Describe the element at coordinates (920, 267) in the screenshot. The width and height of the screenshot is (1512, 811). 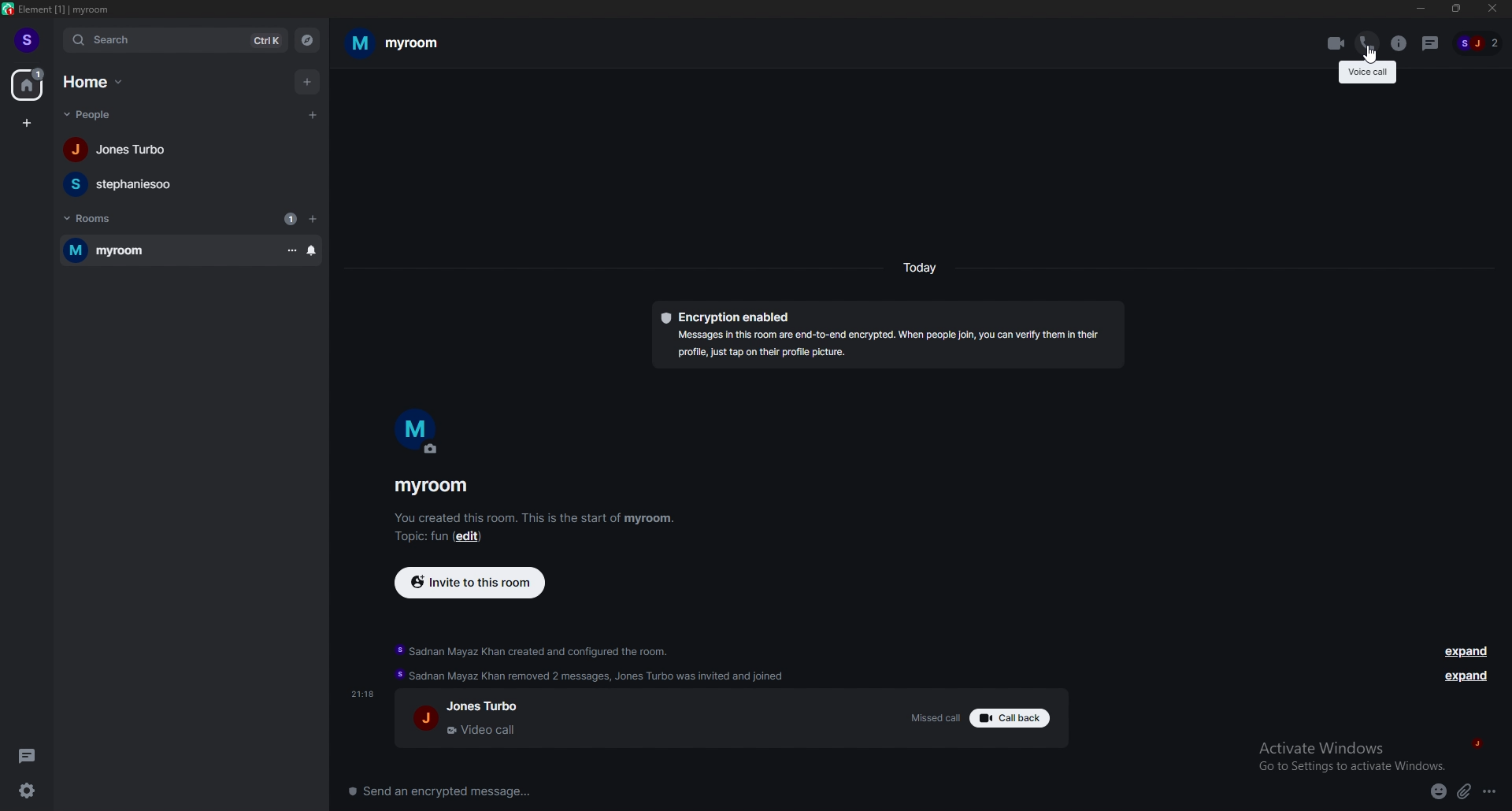
I see `today` at that location.